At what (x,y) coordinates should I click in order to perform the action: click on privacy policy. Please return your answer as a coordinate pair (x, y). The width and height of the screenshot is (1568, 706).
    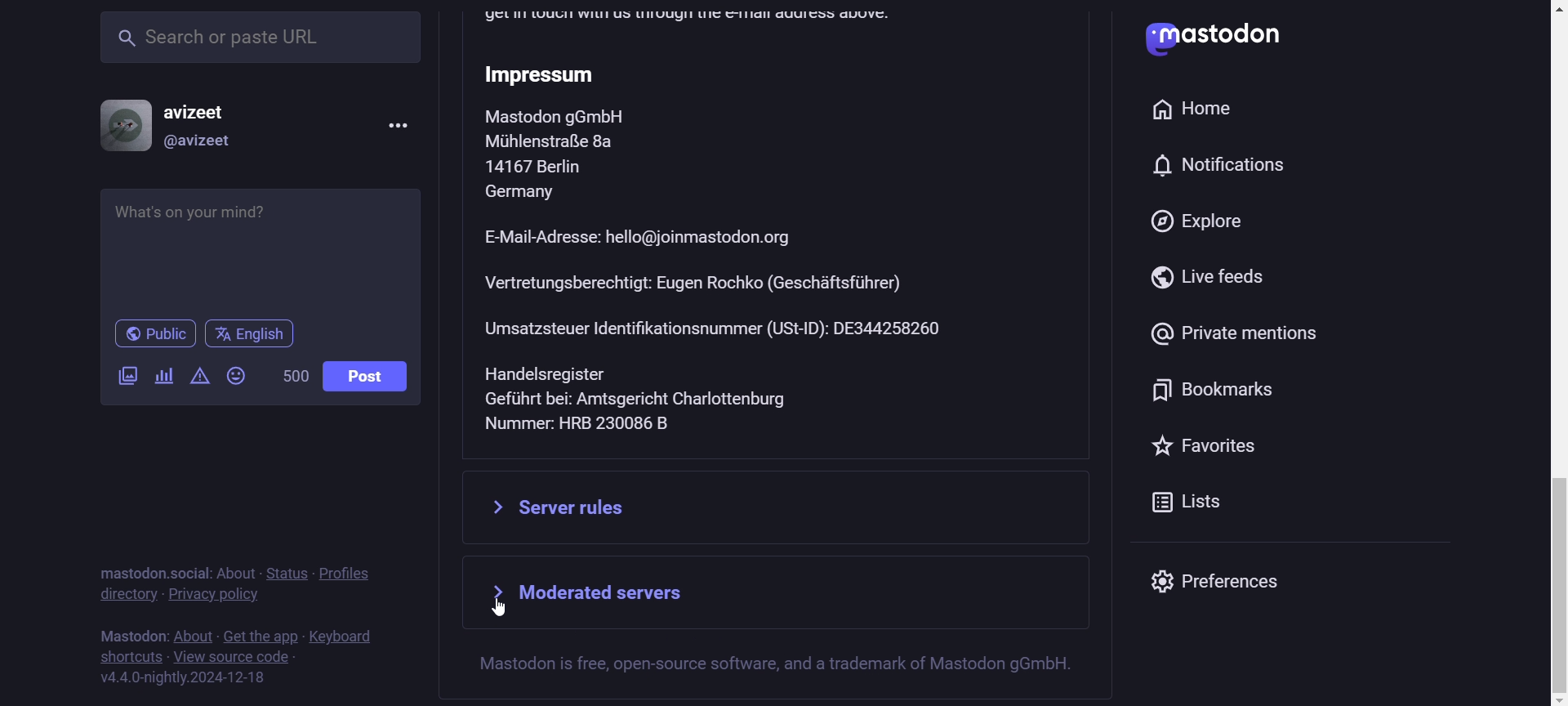
    Looking at the image, I should click on (216, 598).